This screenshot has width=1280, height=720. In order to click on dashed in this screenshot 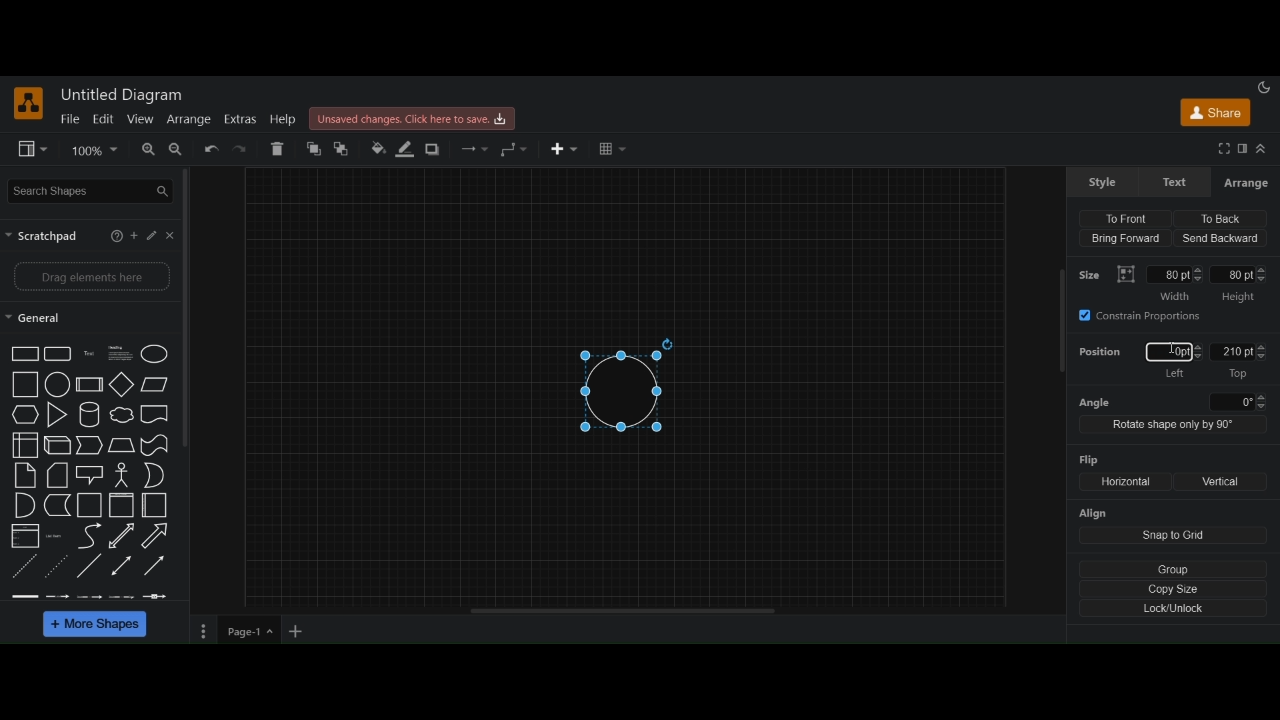, I will do `click(87, 596)`.